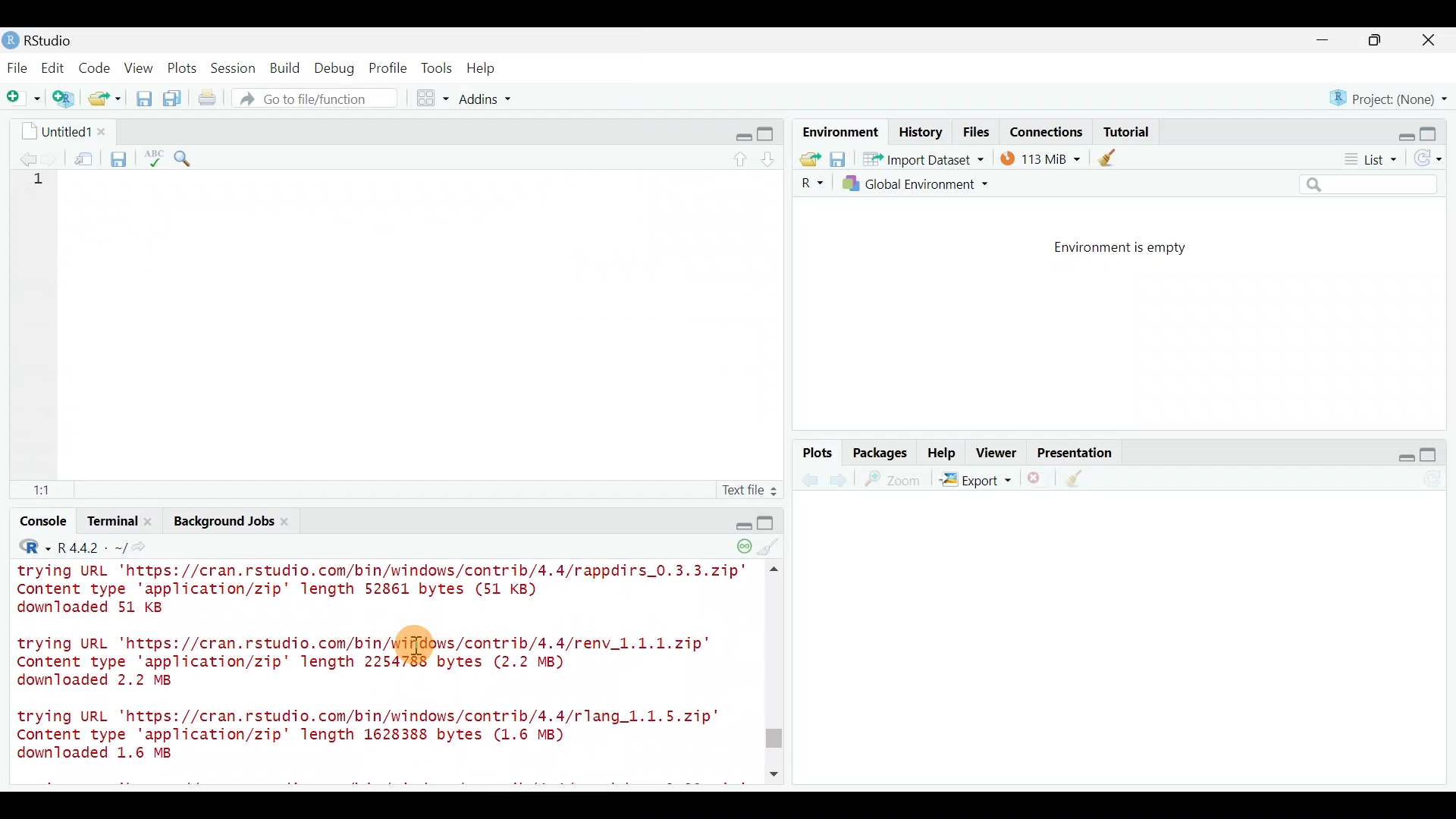  Describe the element at coordinates (1133, 248) in the screenshot. I see `Environment is empty` at that location.